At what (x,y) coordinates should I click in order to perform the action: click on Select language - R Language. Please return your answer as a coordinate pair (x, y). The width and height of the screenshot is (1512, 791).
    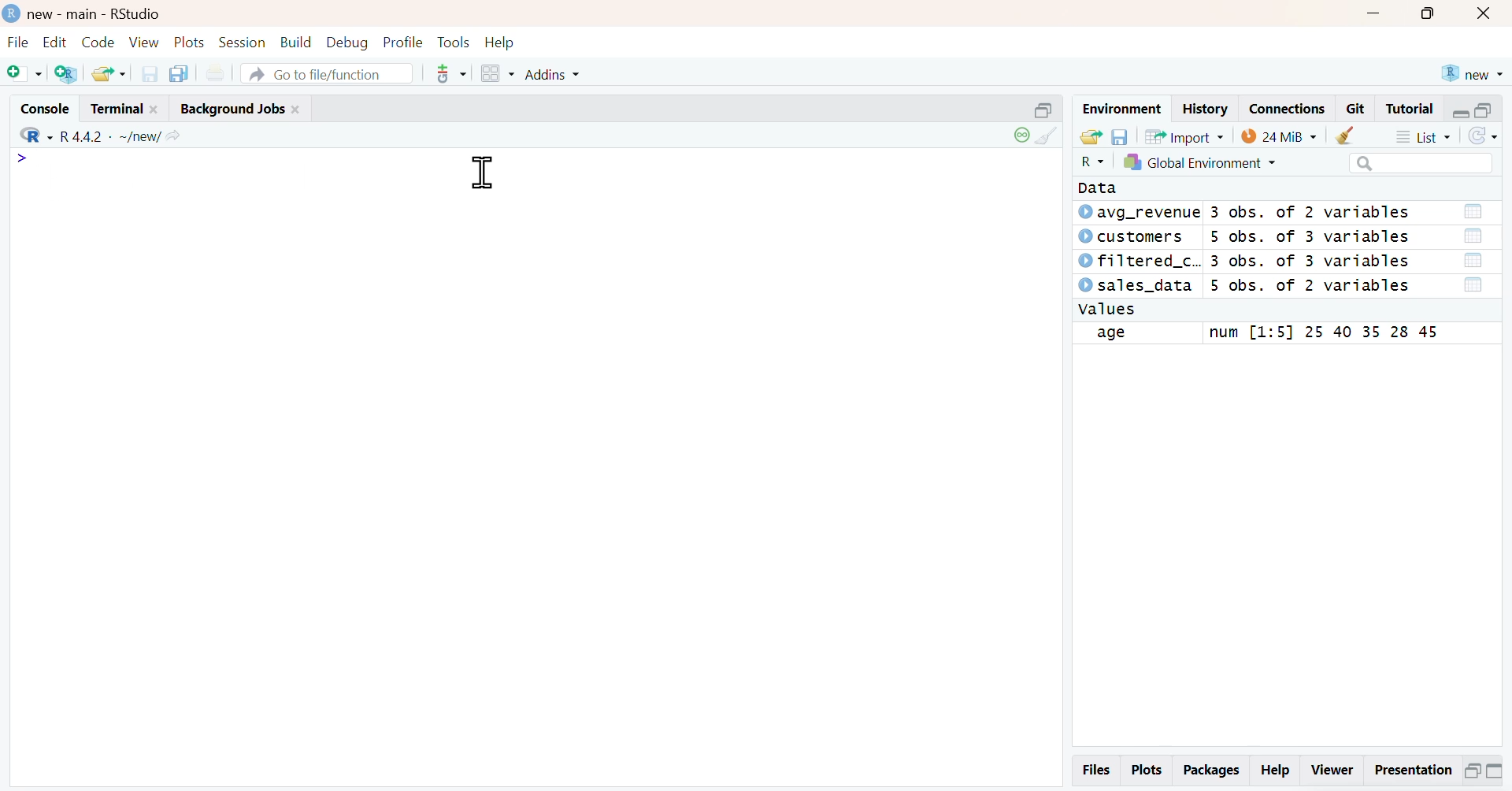
    Looking at the image, I should click on (33, 136).